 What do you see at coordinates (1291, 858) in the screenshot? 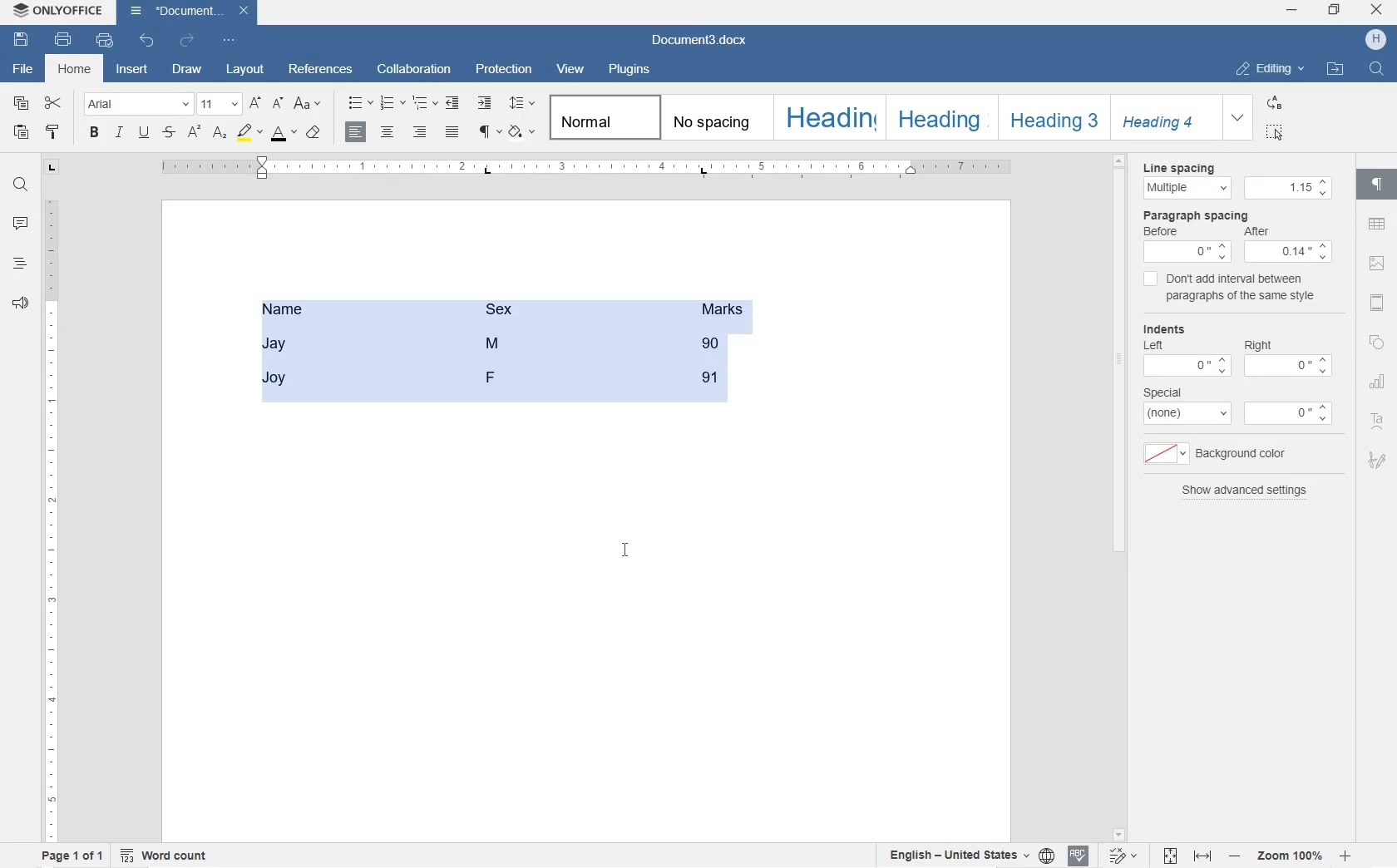
I see `ZOOM IN OR OUT` at bounding box center [1291, 858].